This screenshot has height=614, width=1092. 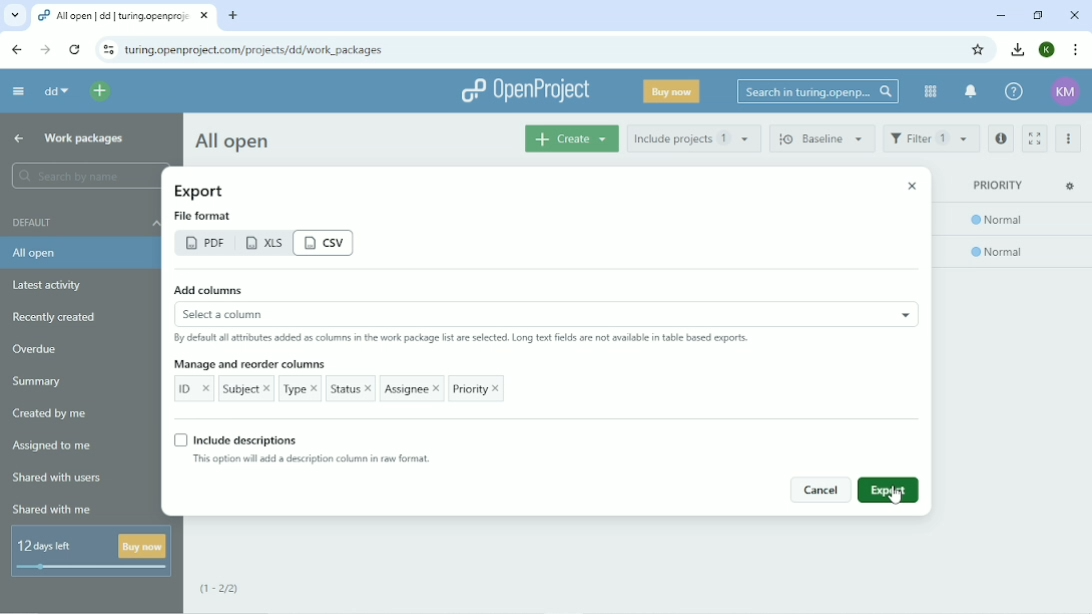 What do you see at coordinates (1047, 50) in the screenshot?
I see `K` at bounding box center [1047, 50].